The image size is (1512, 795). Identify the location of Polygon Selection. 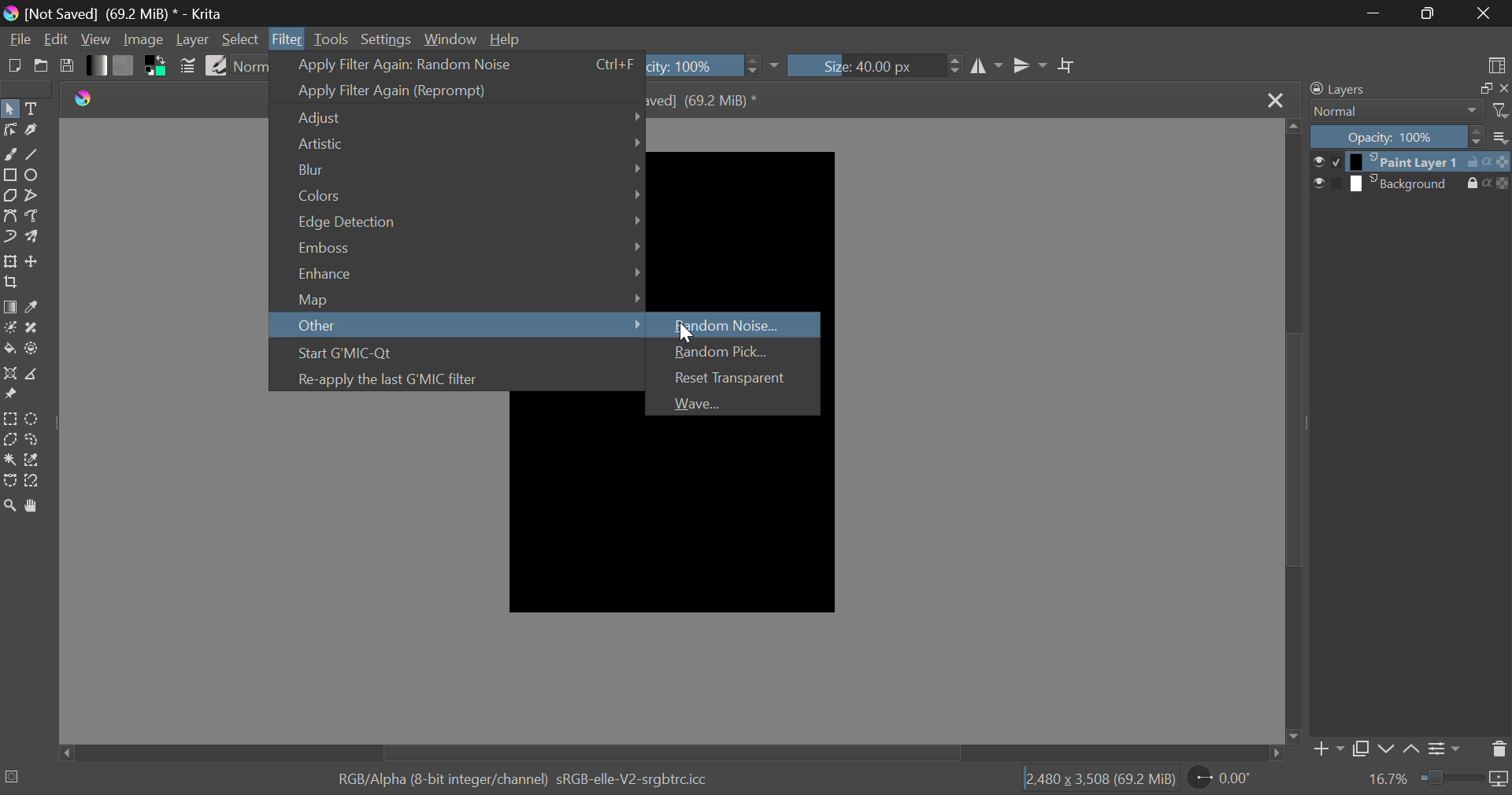
(9, 440).